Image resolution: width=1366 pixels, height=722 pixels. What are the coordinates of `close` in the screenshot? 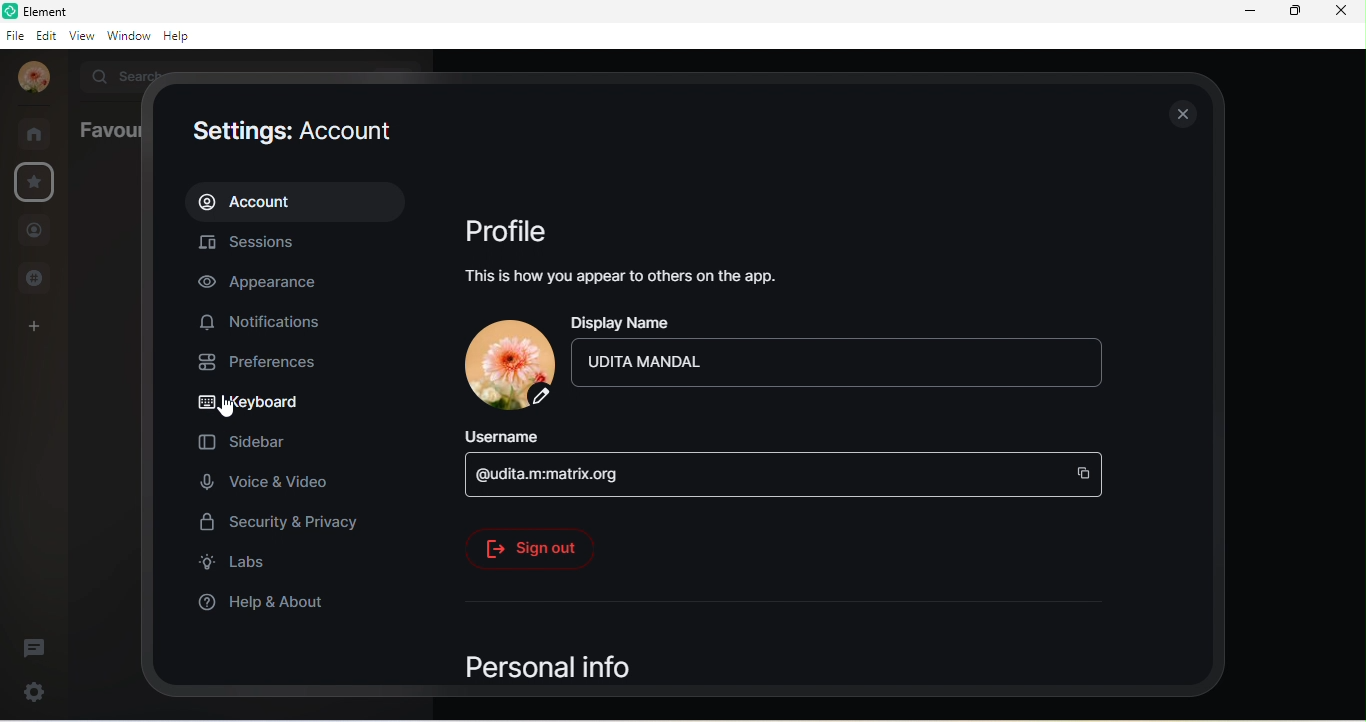 It's located at (1183, 117).